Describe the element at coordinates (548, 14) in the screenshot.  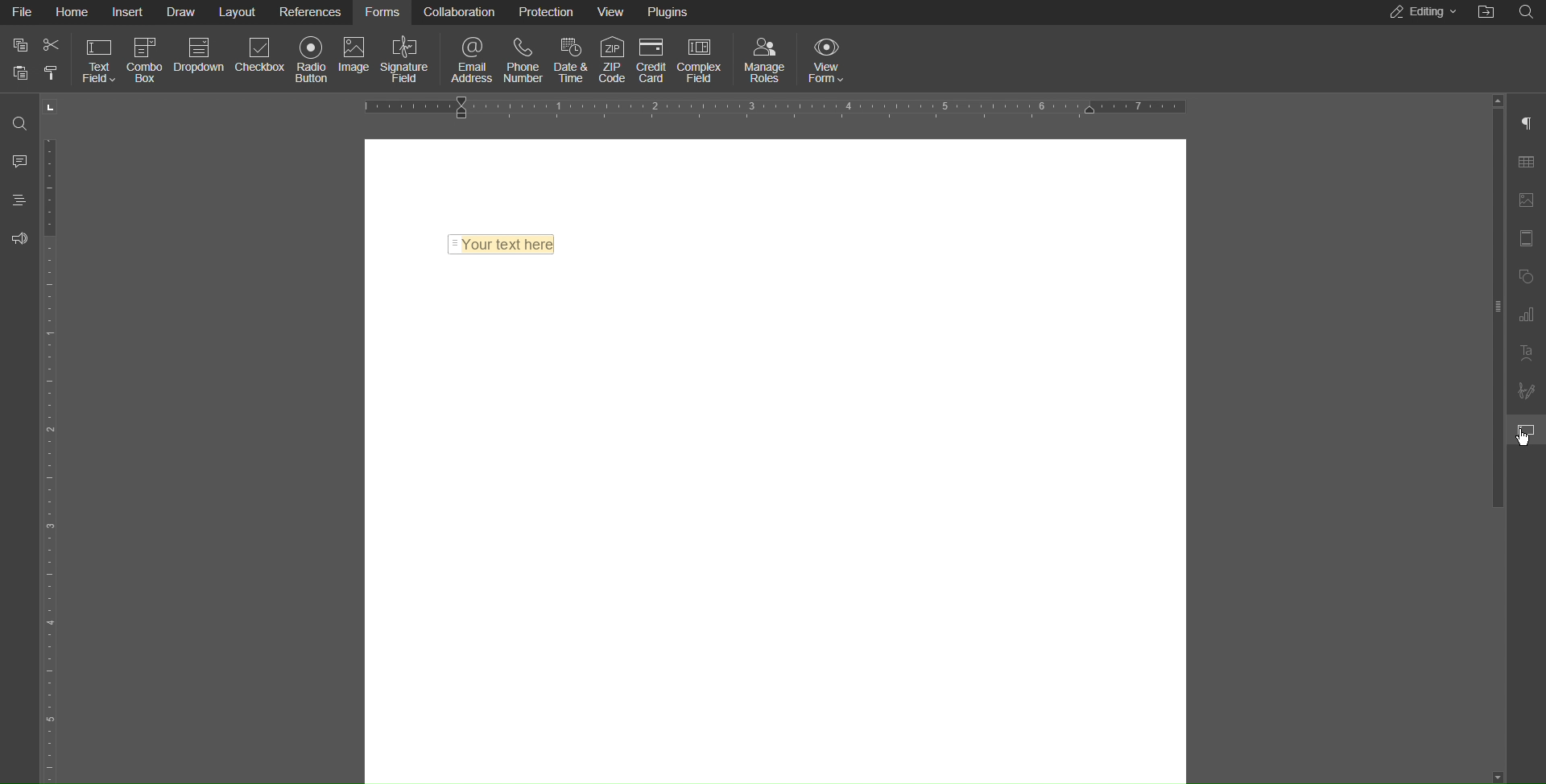
I see `Protection` at that location.